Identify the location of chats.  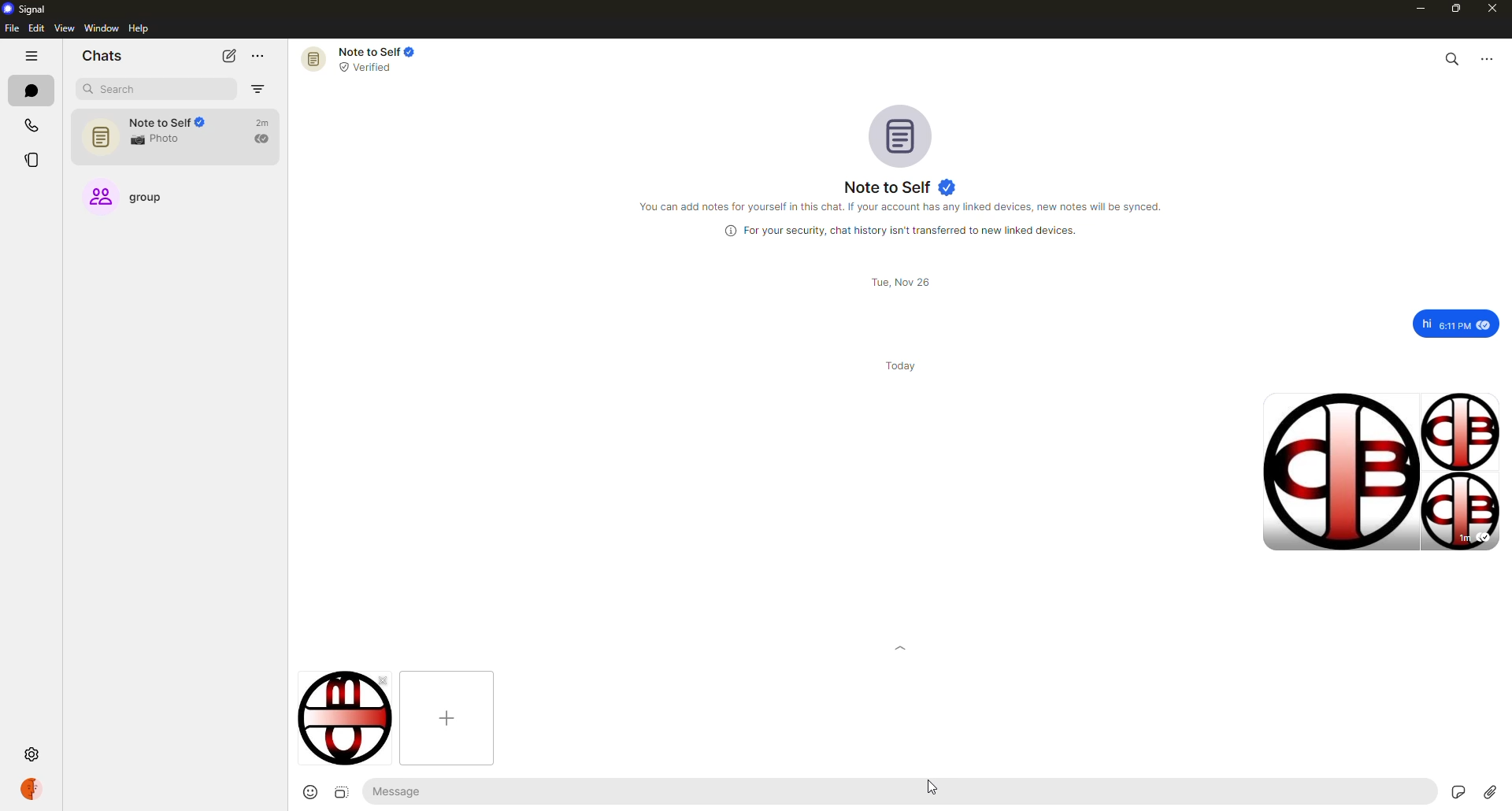
(102, 56).